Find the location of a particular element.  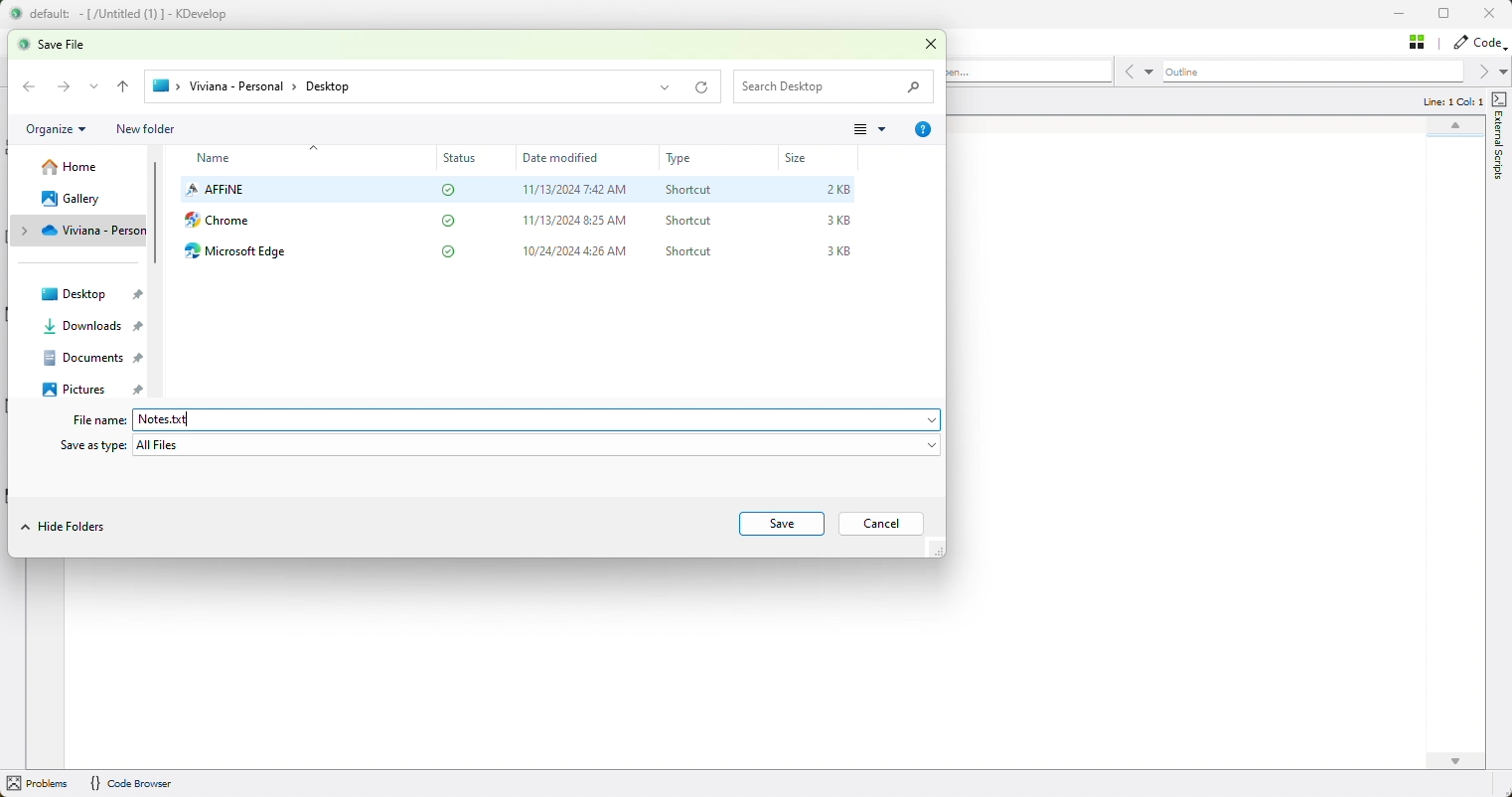

external scripts is located at coordinates (1500, 137).